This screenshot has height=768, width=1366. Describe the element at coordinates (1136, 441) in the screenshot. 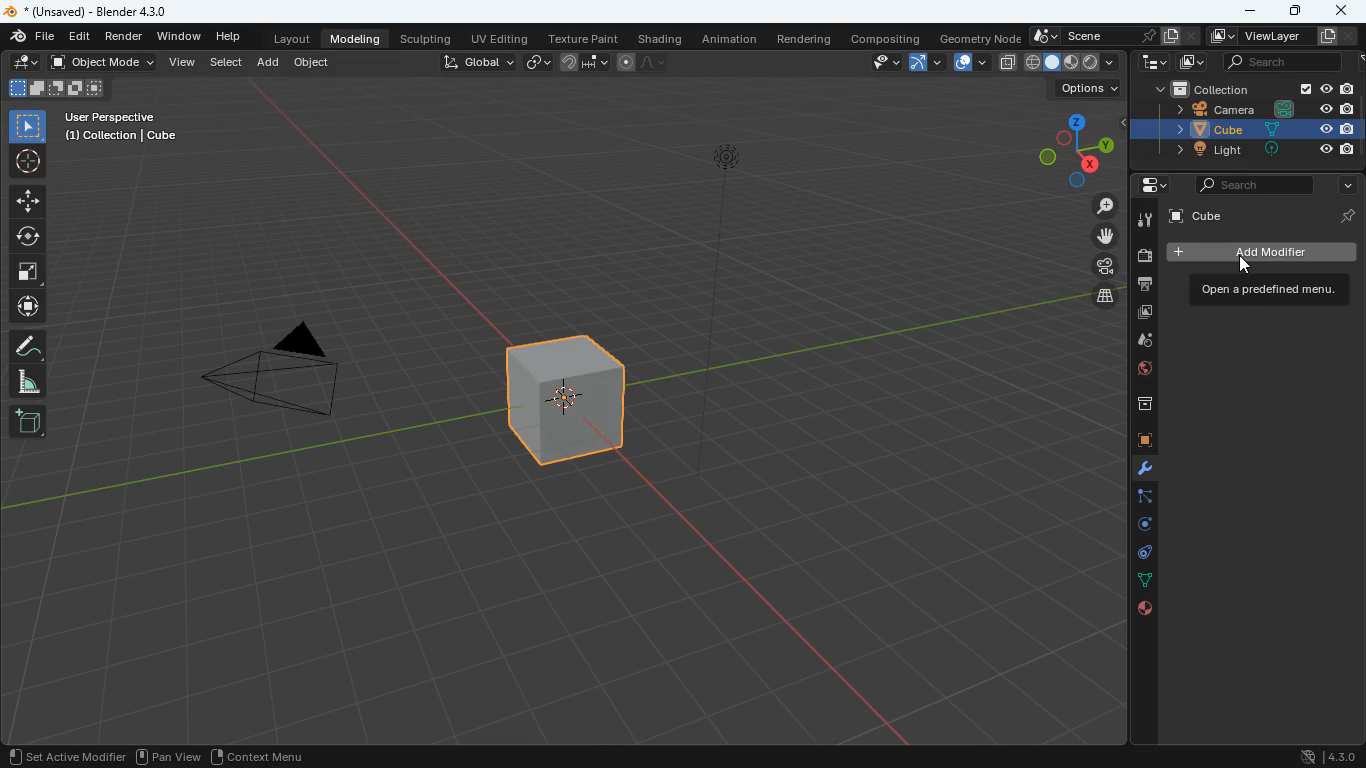

I see `cube` at that location.